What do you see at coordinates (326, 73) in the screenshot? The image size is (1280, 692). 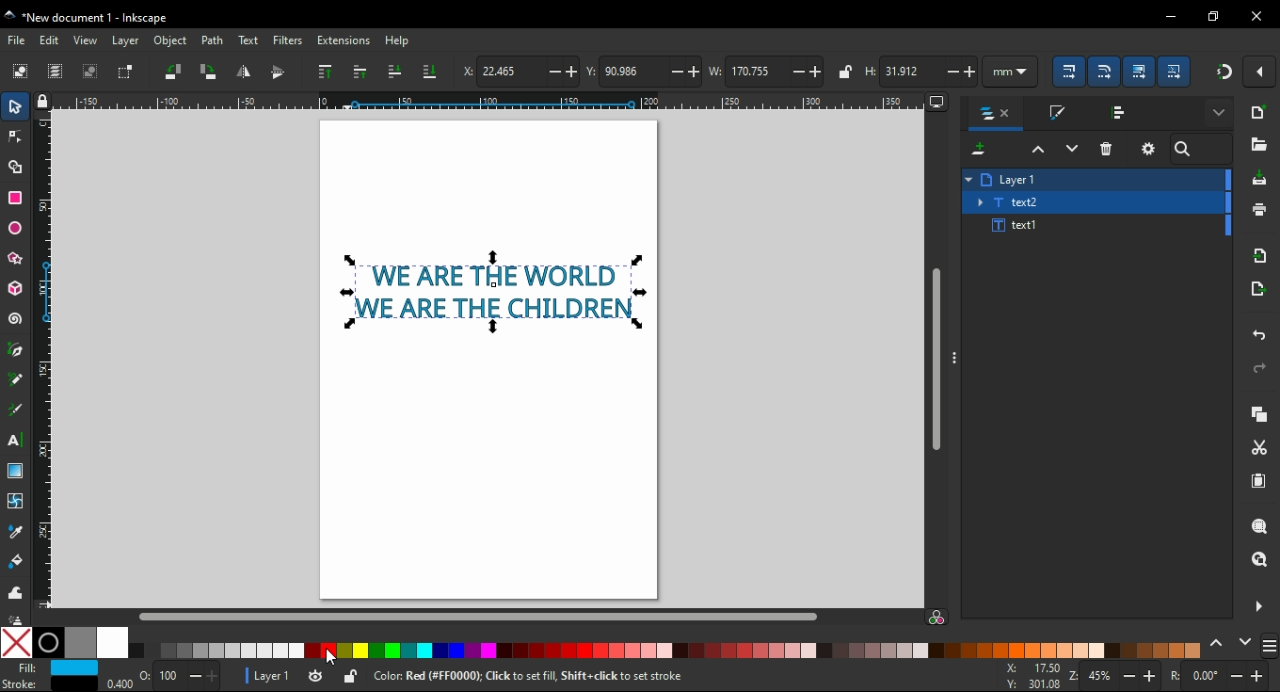 I see `raise to top` at bounding box center [326, 73].